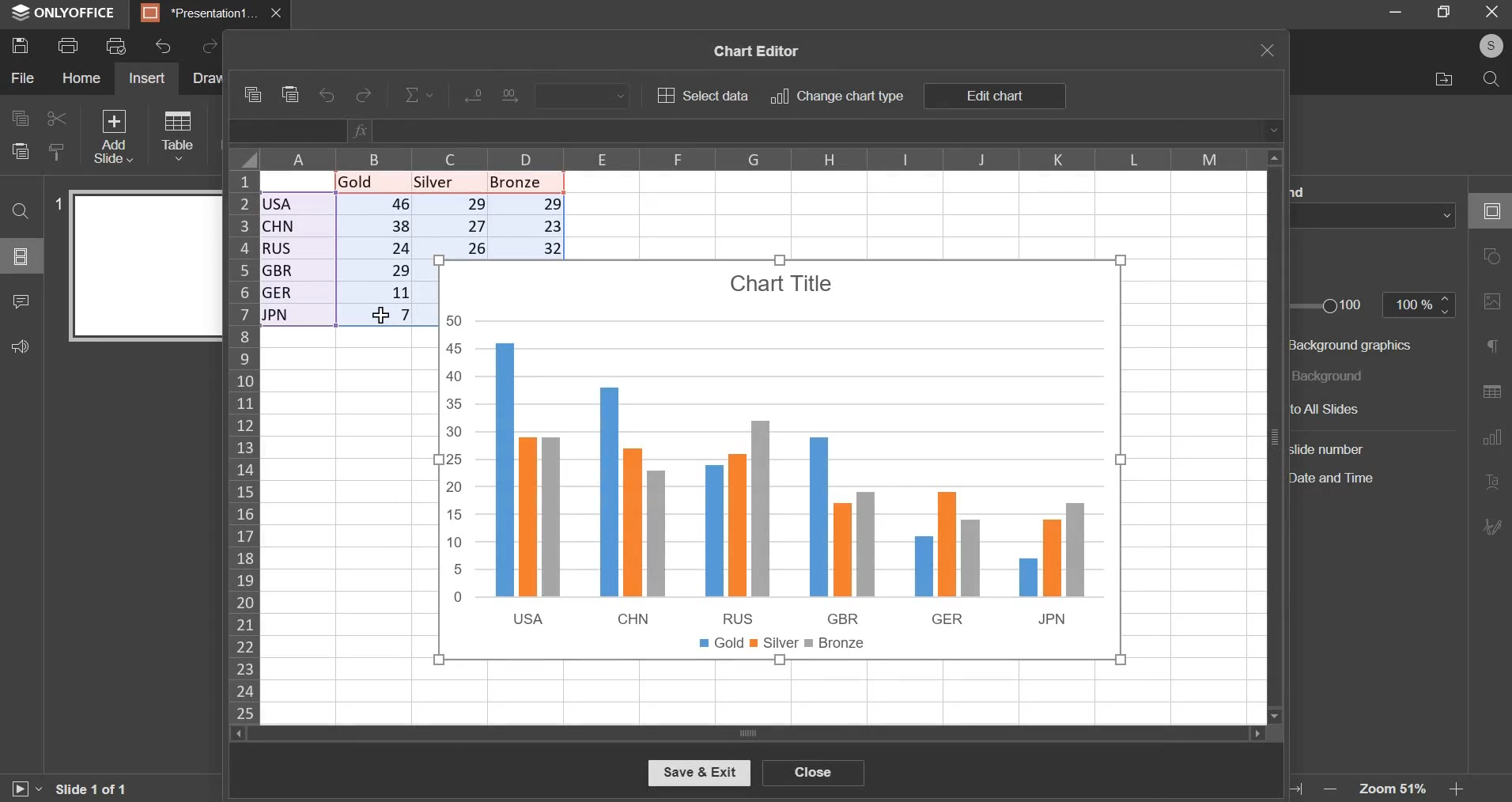  Describe the element at coordinates (531, 225) in the screenshot. I see `23` at that location.